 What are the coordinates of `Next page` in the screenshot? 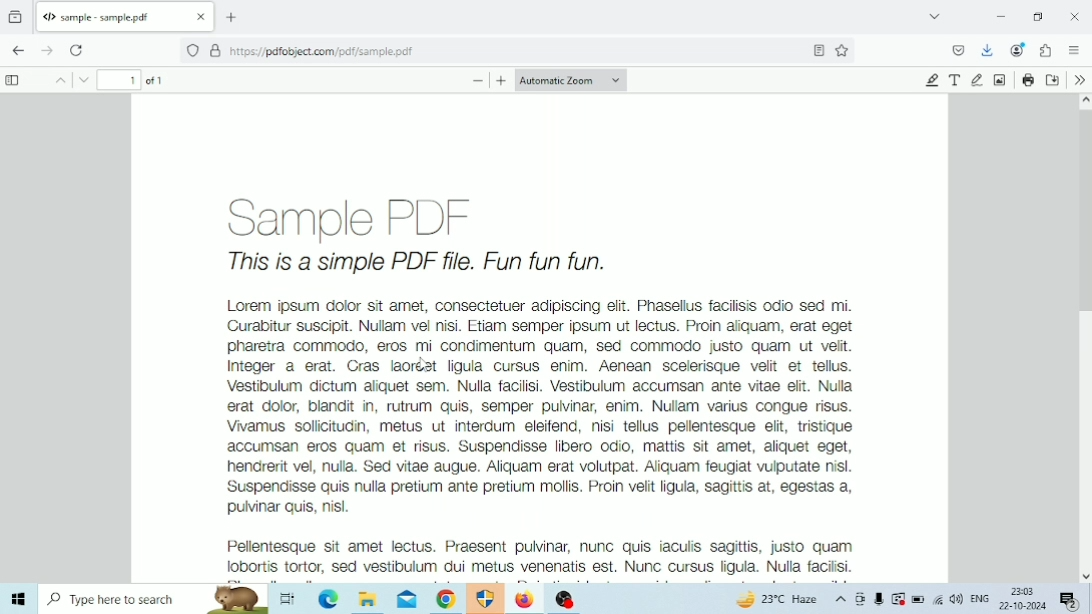 It's located at (83, 80).